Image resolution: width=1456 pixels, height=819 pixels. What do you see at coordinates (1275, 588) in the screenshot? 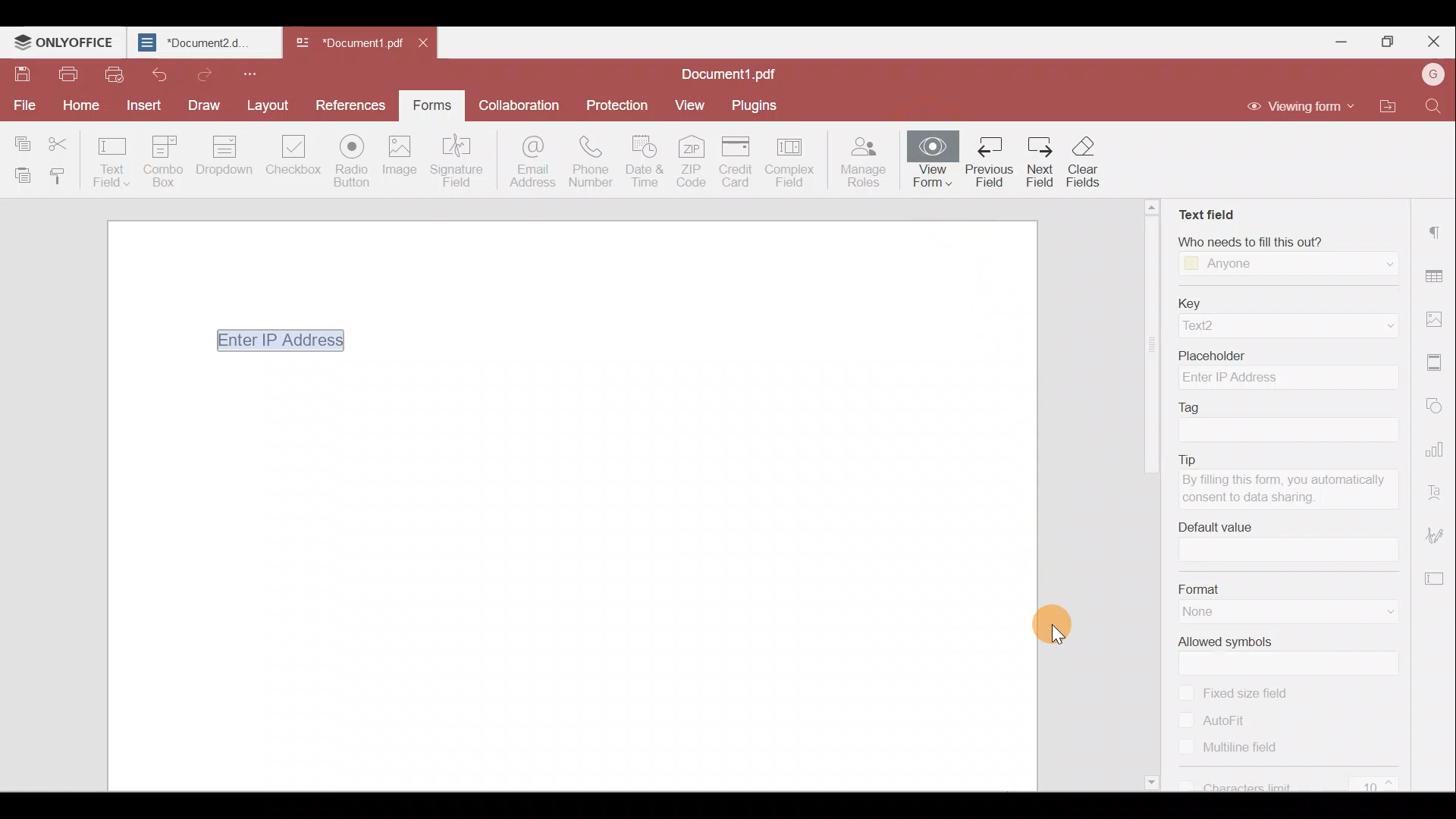
I see `Format` at bounding box center [1275, 588].